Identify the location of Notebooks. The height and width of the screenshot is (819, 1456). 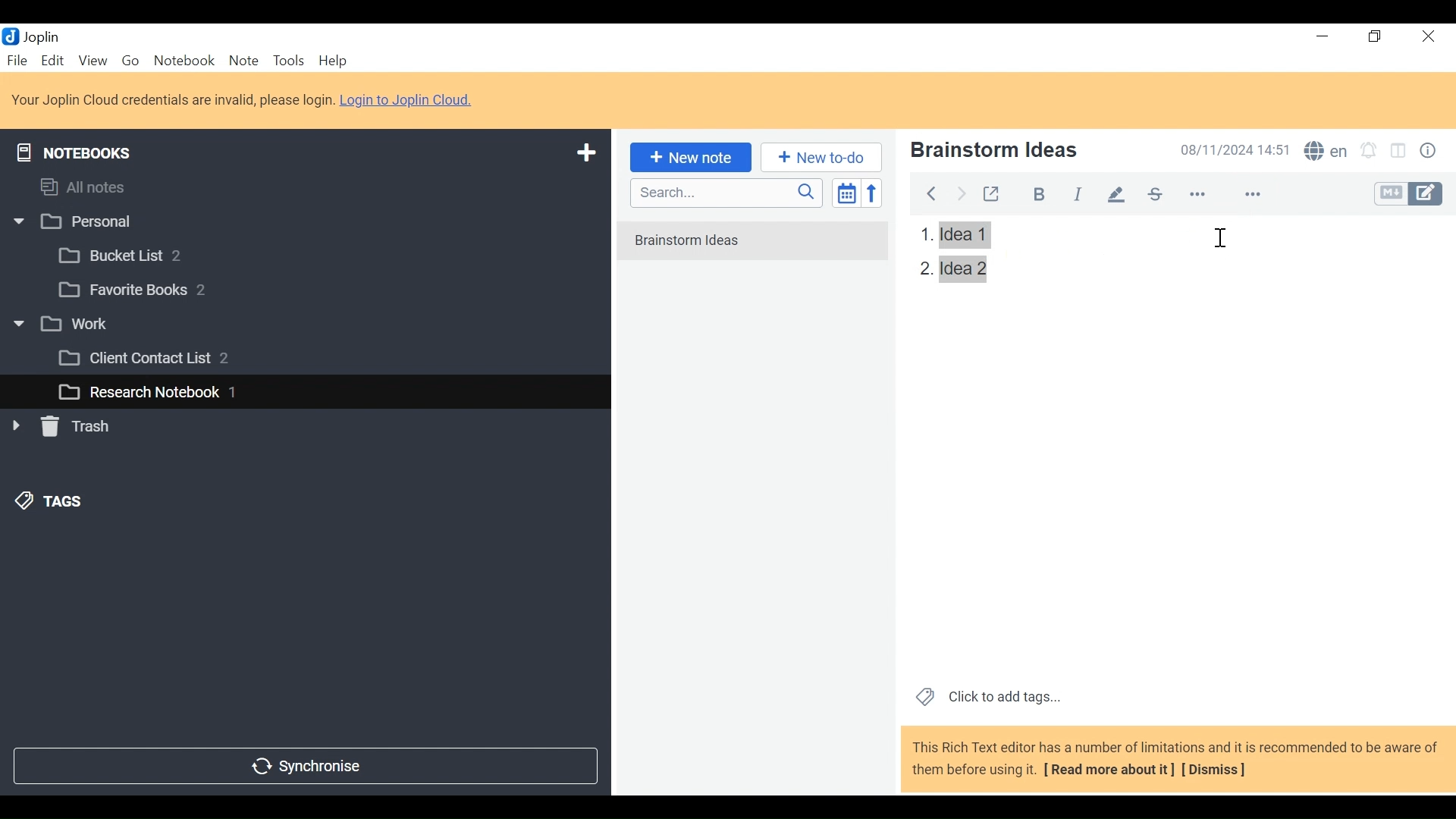
(85, 149).